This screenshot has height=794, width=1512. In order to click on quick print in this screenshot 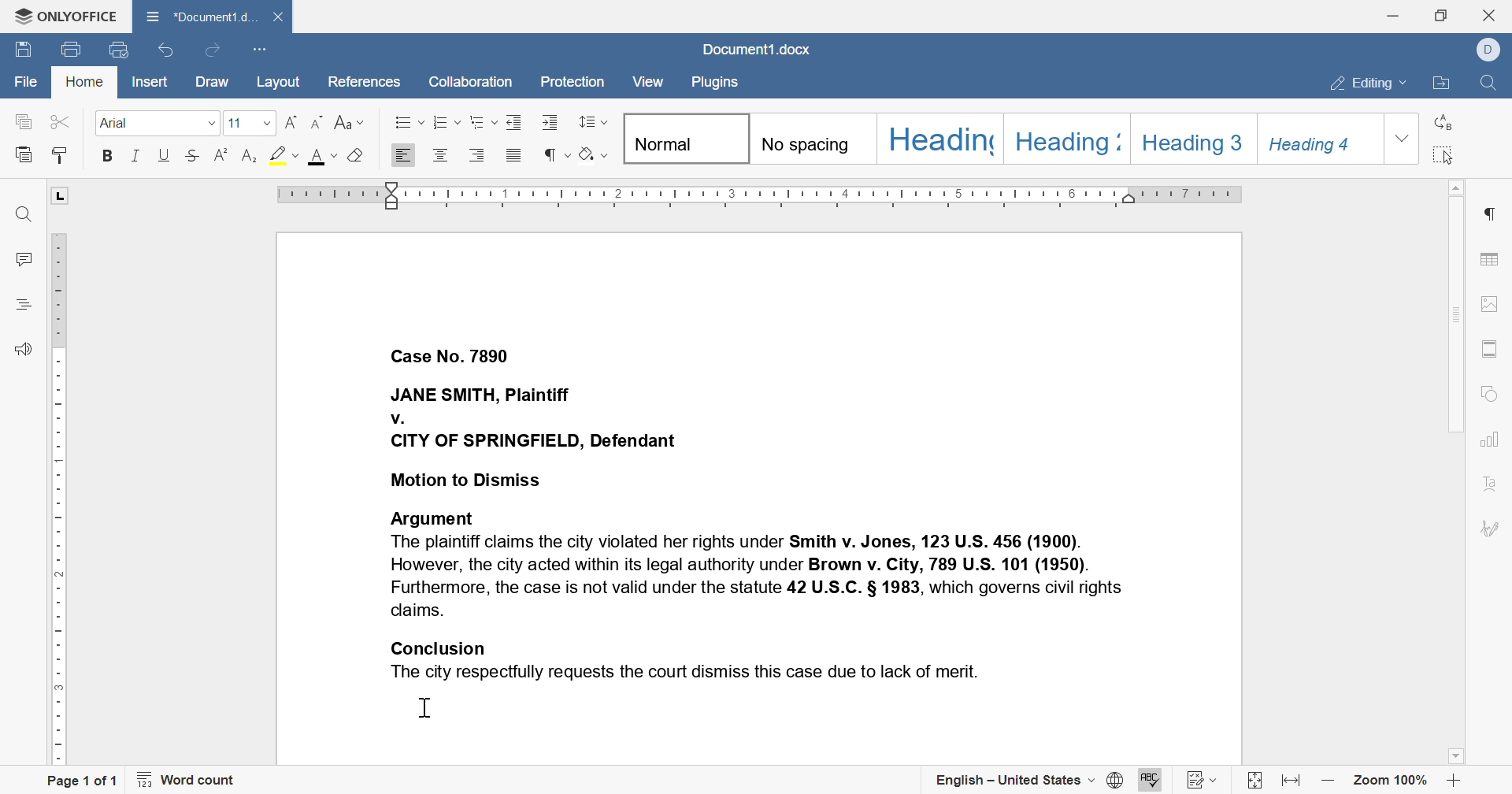, I will do `click(118, 51)`.